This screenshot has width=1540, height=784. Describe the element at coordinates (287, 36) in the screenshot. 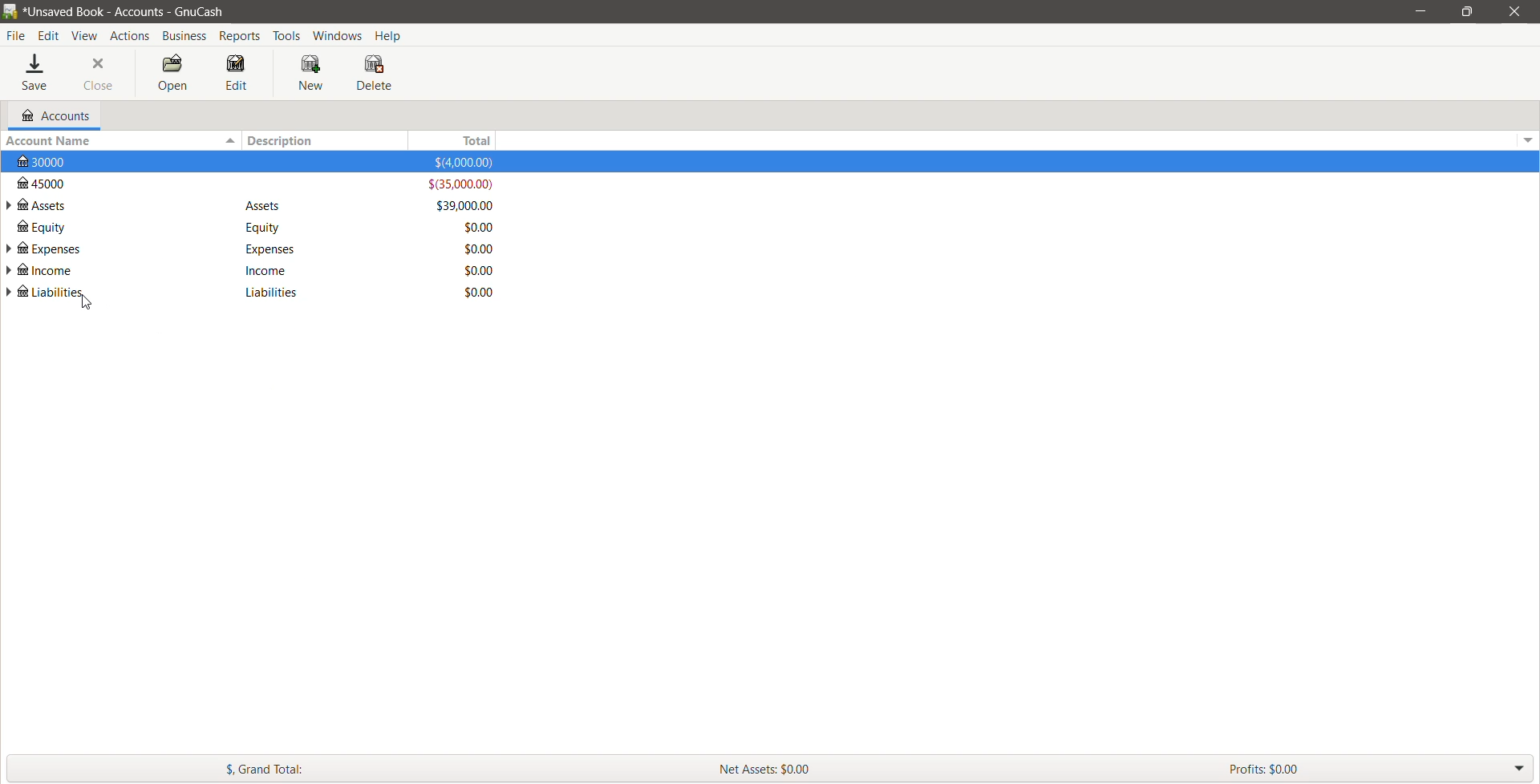

I see `Tools` at that location.